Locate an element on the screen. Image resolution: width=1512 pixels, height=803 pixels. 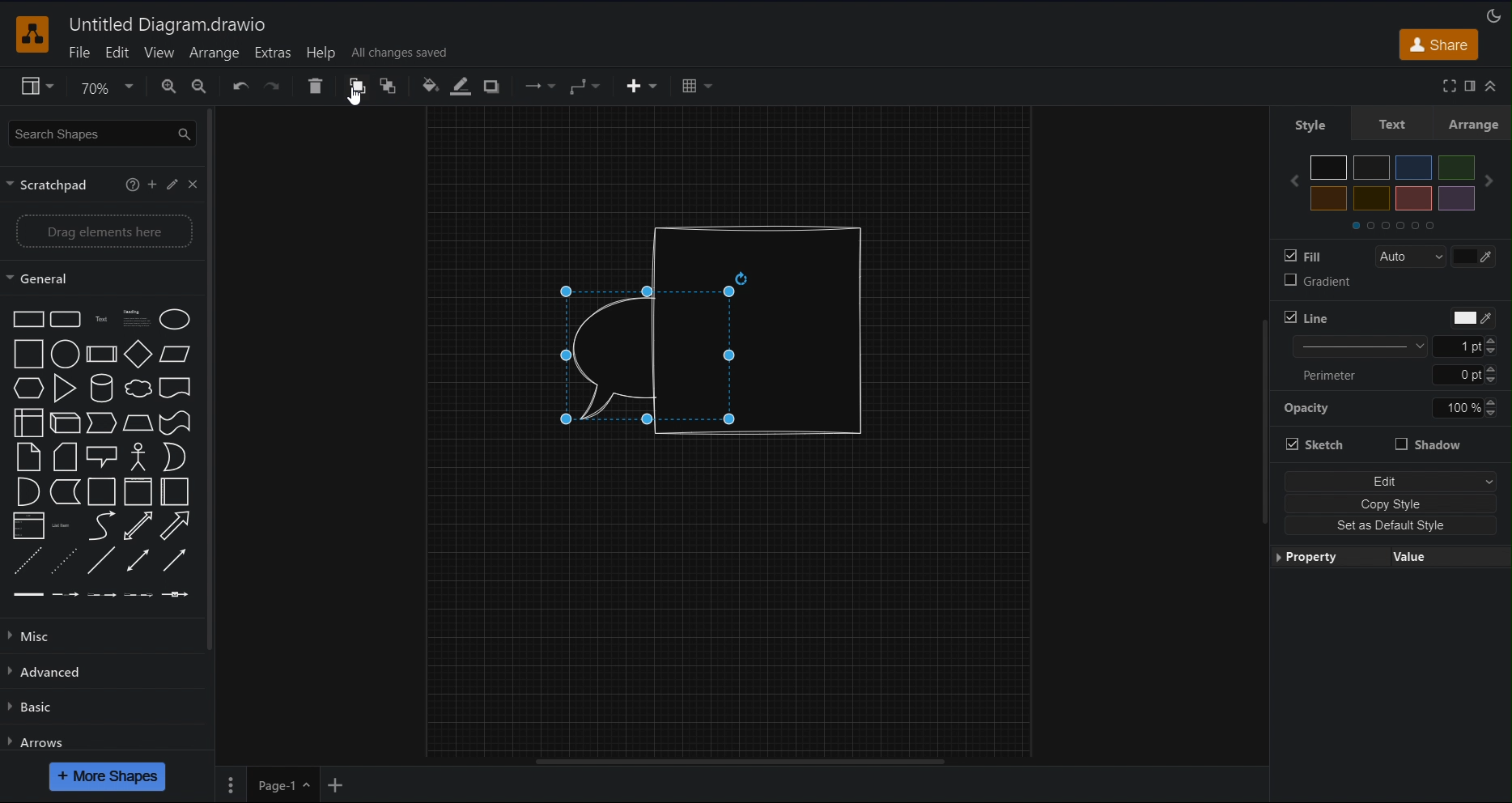
Arrange is located at coordinates (215, 53).